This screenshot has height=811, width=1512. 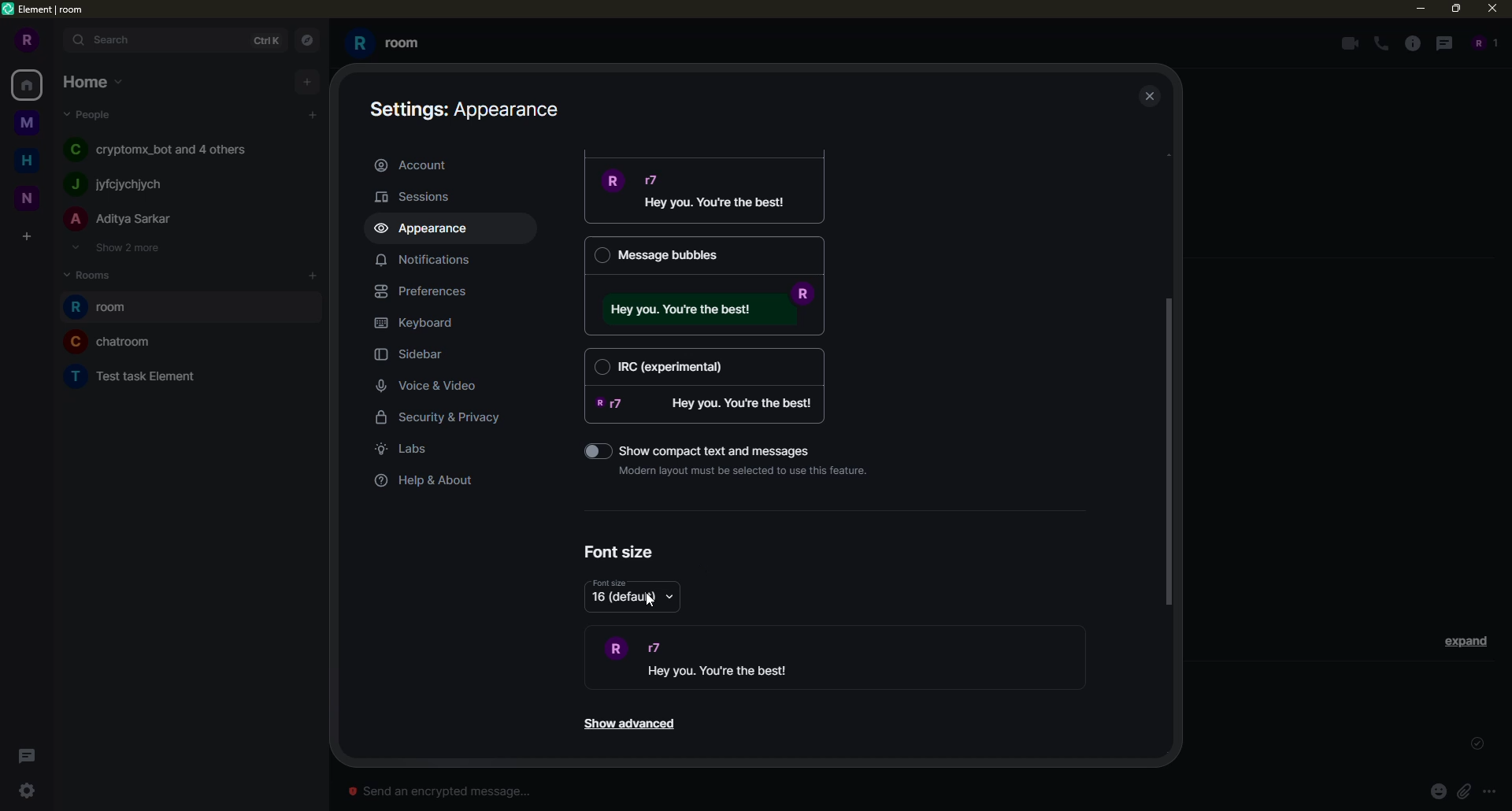 What do you see at coordinates (1442, 43) in the screenshot?
I see `threads` at bounding box center [1442, 43].